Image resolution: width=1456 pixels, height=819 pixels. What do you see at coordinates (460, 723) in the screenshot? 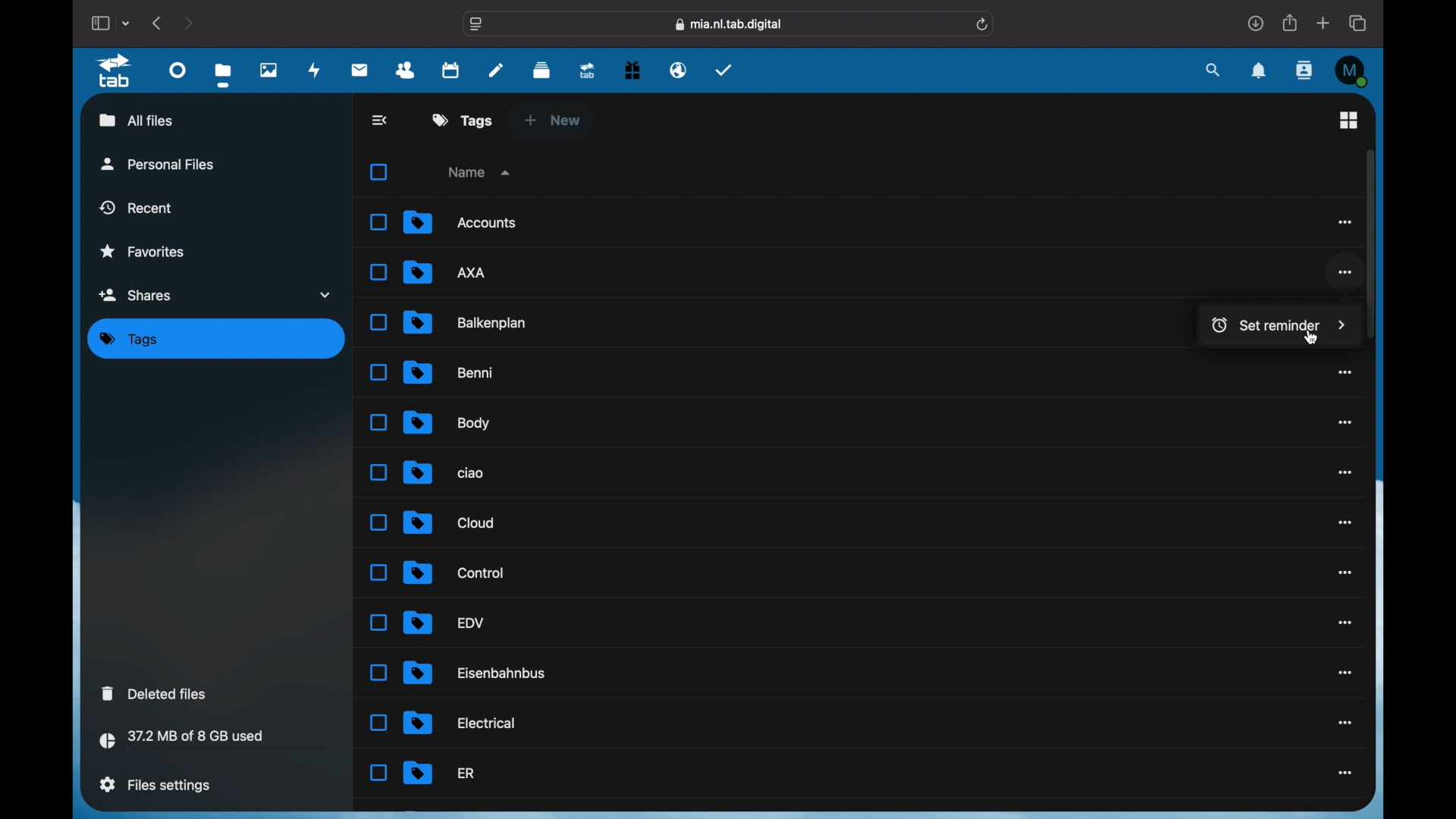
I see `file` at bounding box center [460, 723].